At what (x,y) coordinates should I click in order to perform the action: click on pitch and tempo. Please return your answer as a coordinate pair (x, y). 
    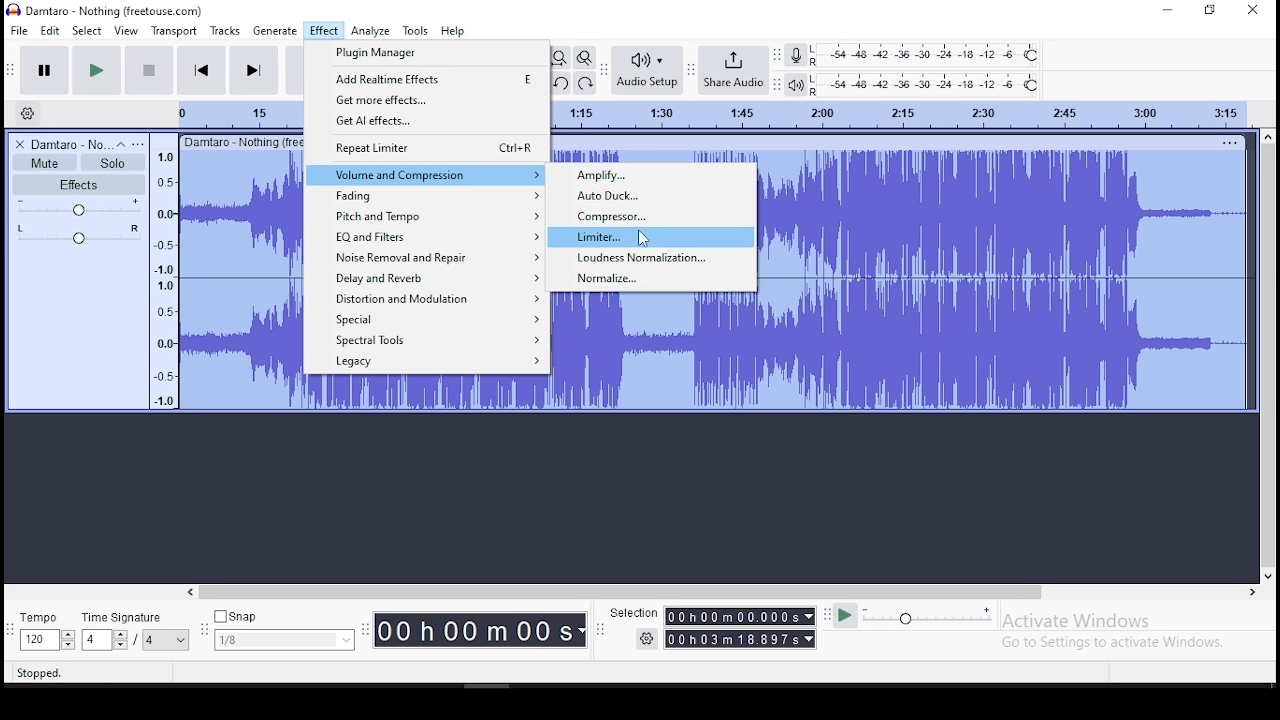
    Looking at the image, I should click on (427, 215).